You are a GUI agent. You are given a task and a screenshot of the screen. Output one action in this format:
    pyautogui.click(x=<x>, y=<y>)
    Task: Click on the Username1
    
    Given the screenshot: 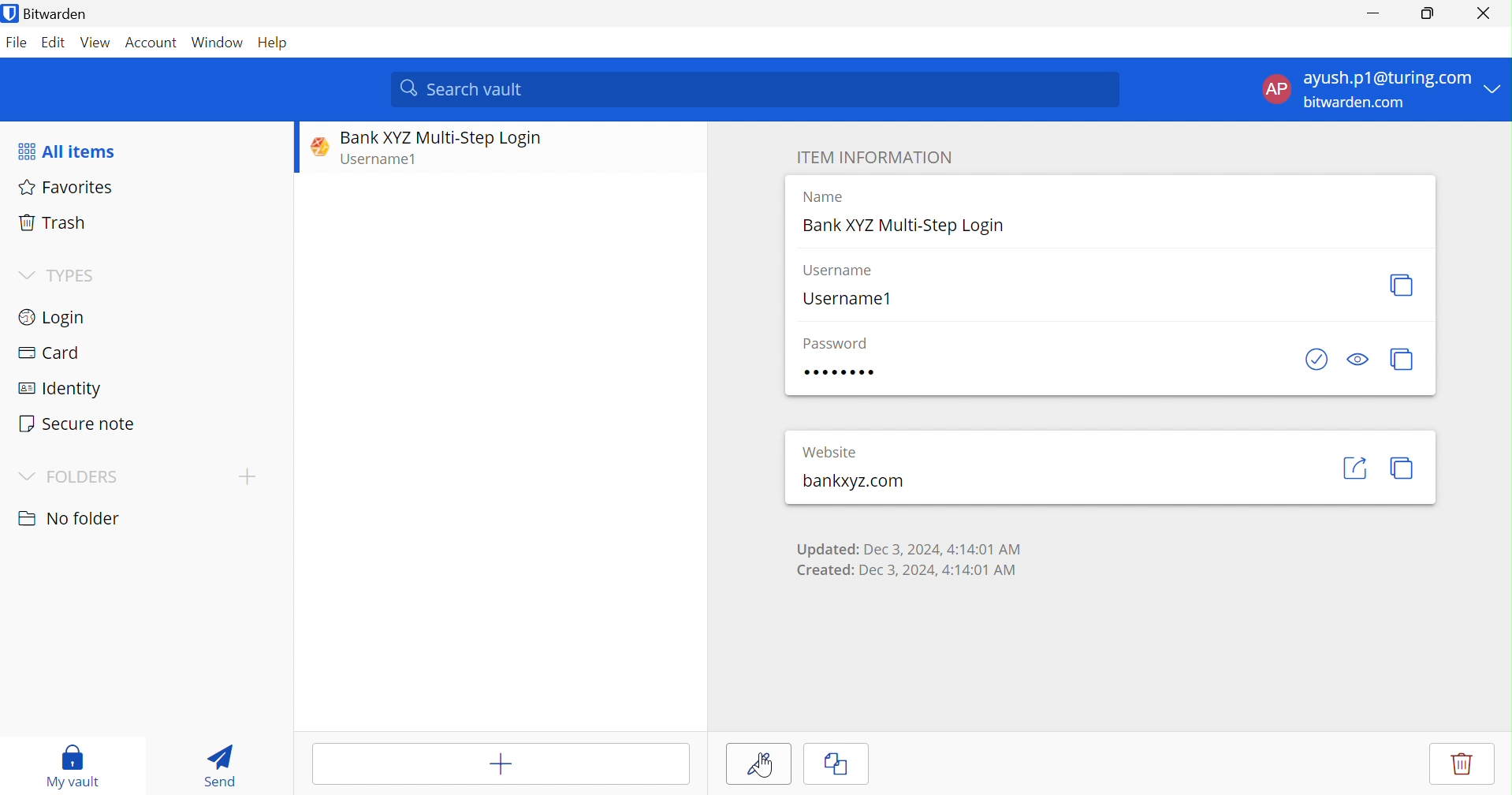 What is the action you would take?
    pyautogui.click(x=847, y=298)
    